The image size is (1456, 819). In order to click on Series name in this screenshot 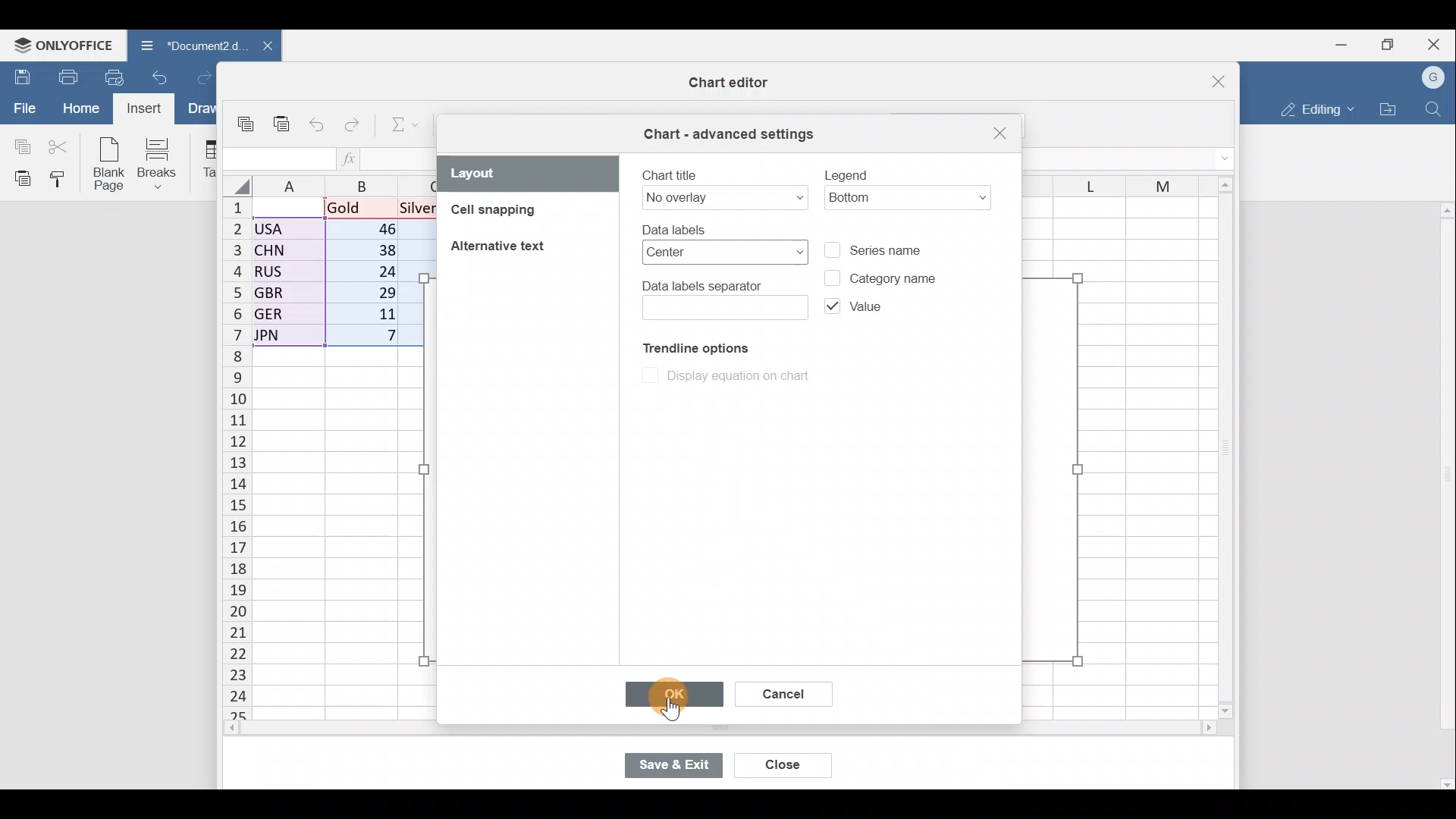, I will do `click(893, 248)`.